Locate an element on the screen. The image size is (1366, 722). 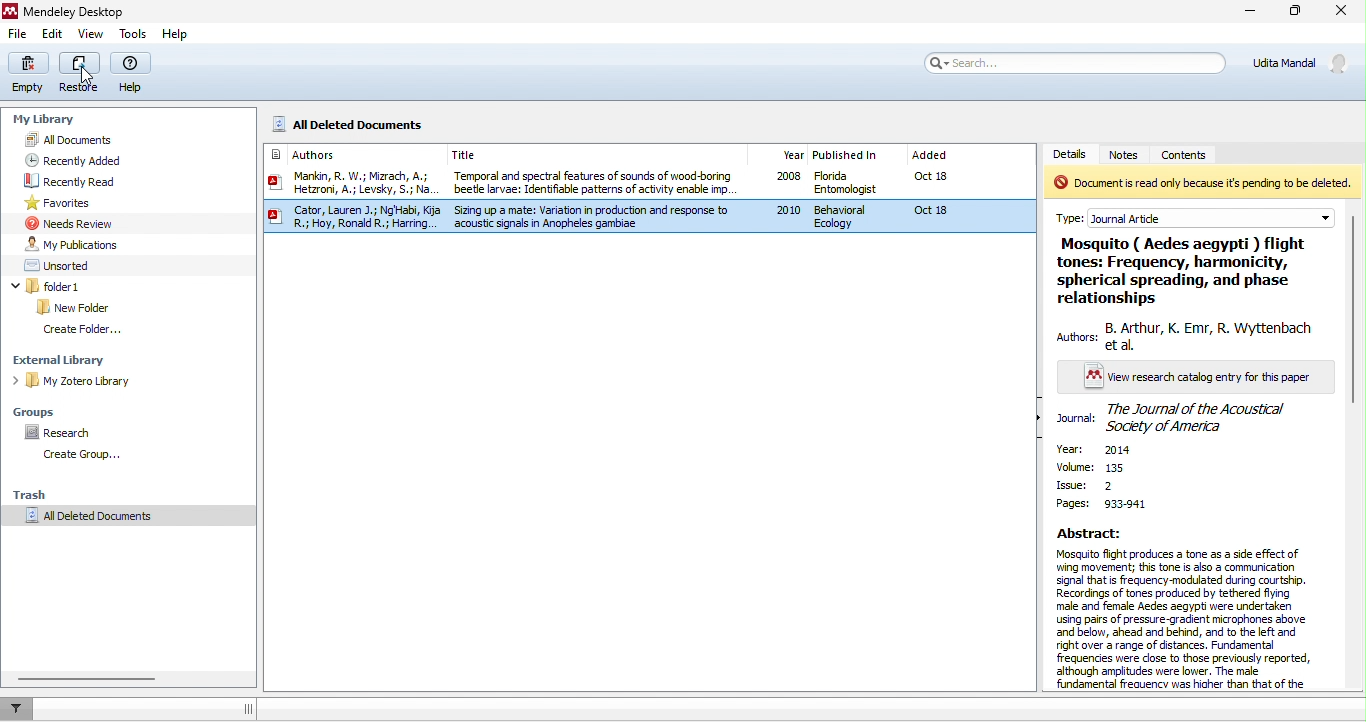
unsorted is located at coordinates (59, 264).